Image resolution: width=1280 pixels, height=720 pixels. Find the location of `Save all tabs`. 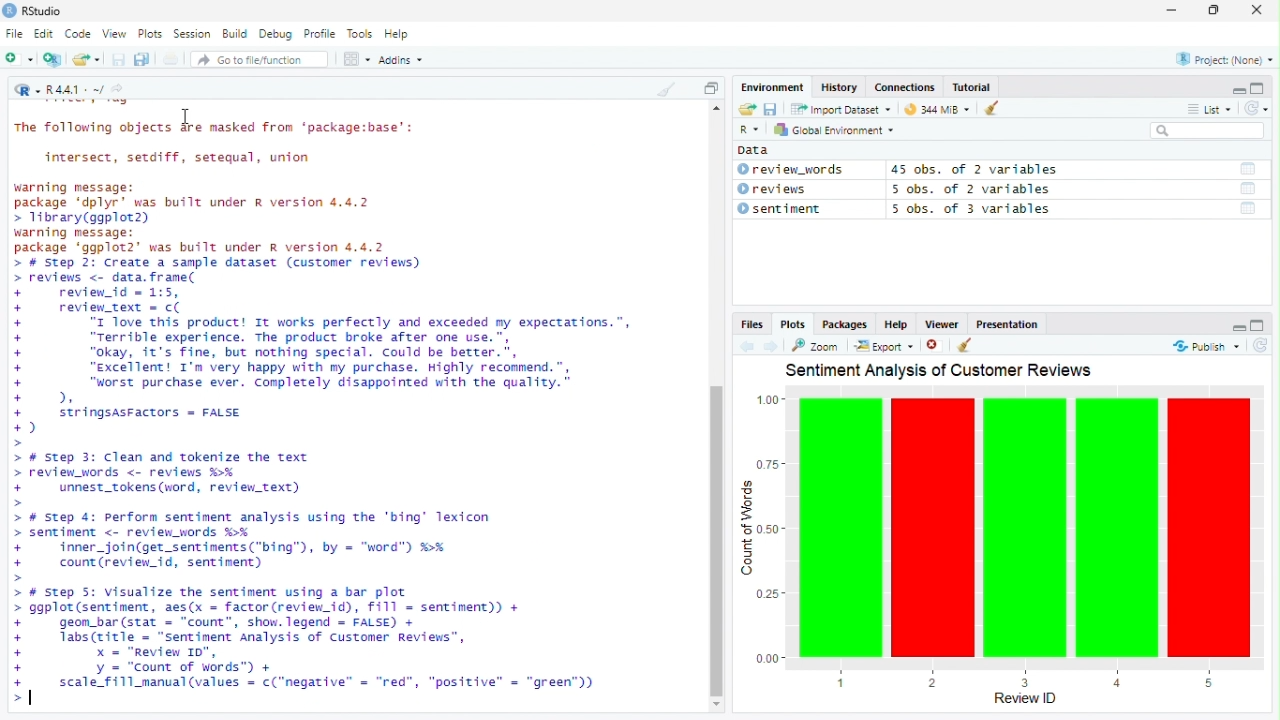

Save all tabs is located at coordinates (141, 58).